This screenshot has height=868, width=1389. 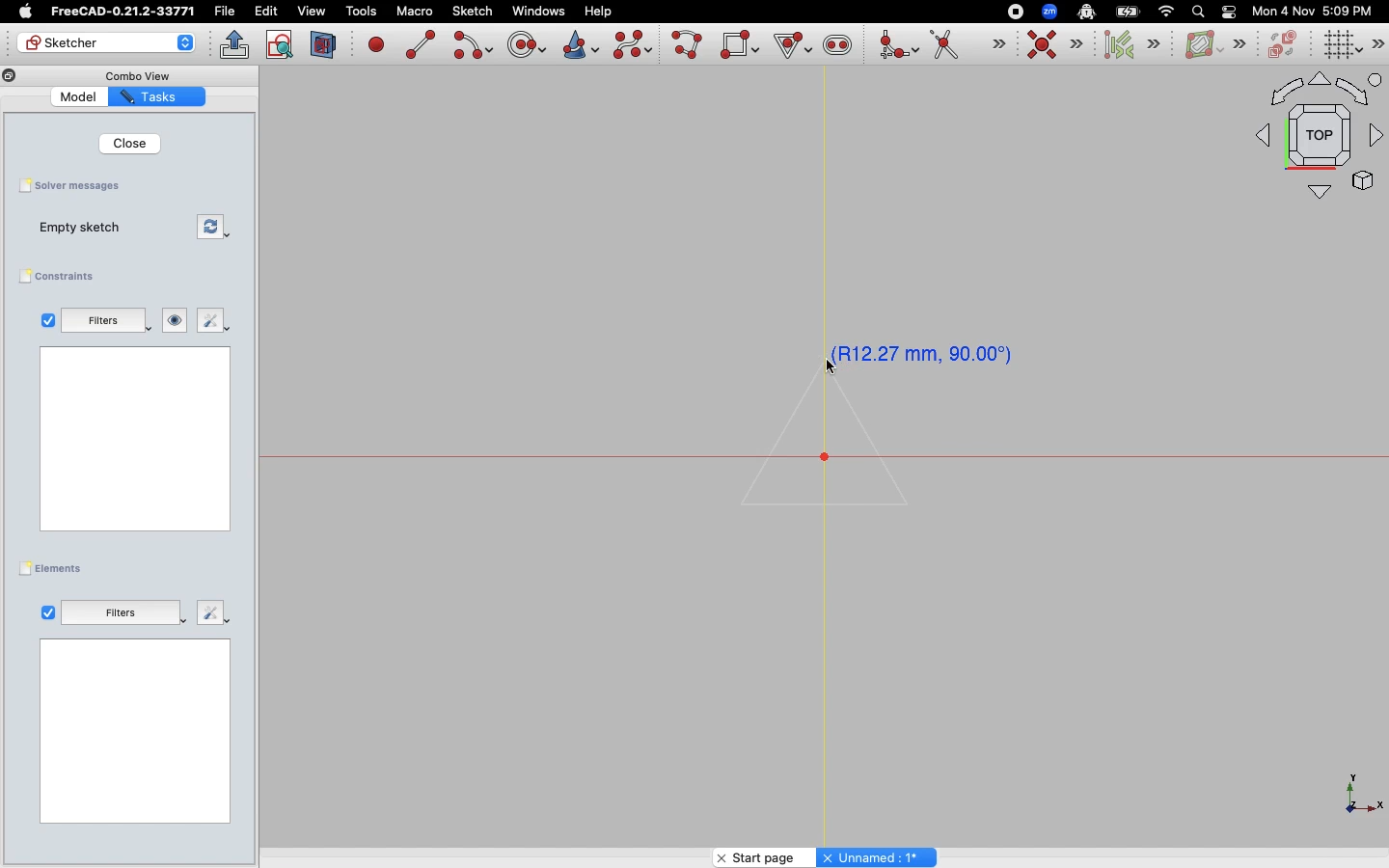 I want to click on Fix, so click(x=211, y=320).